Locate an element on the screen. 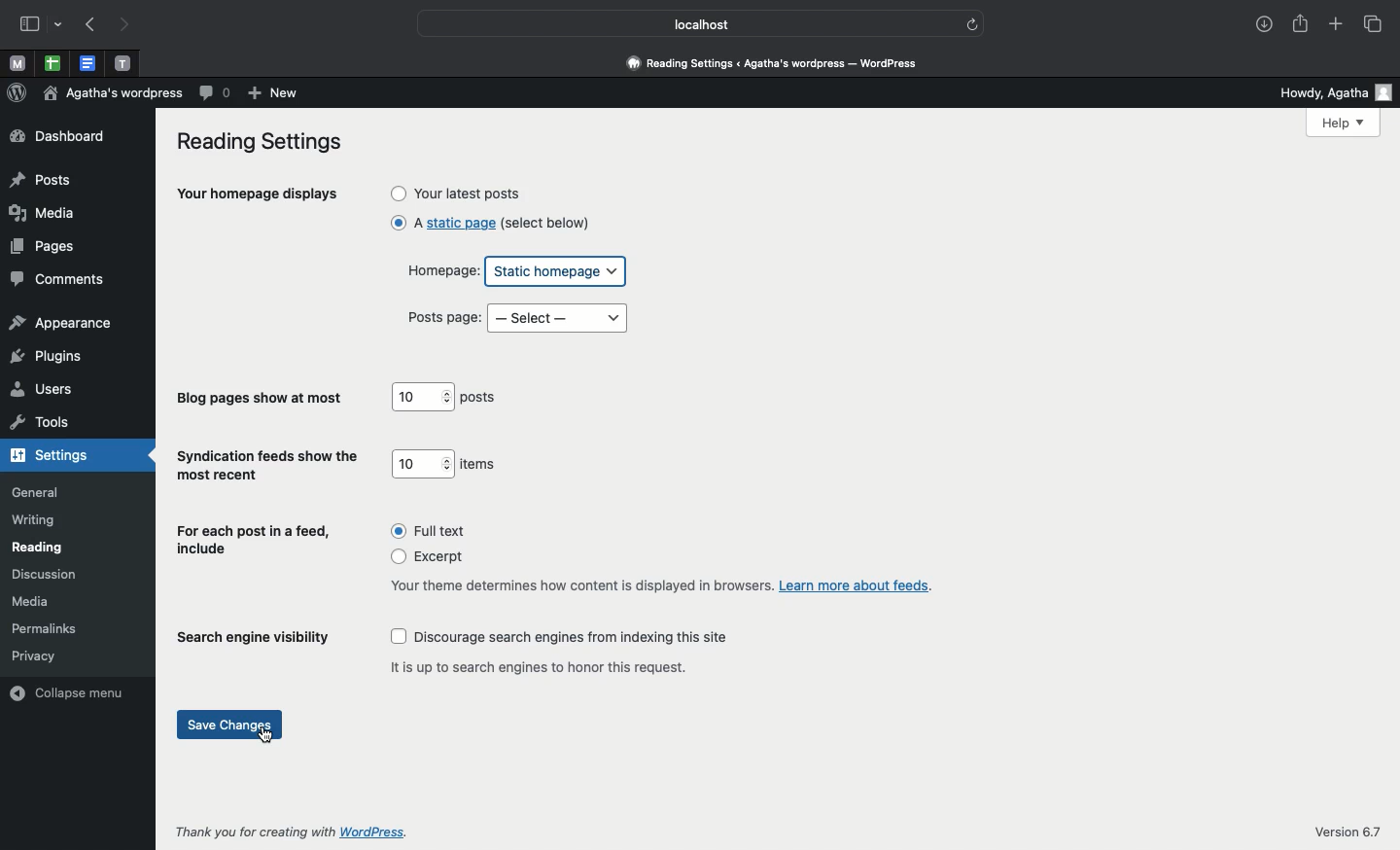  click is located at coordinates (402, 244).